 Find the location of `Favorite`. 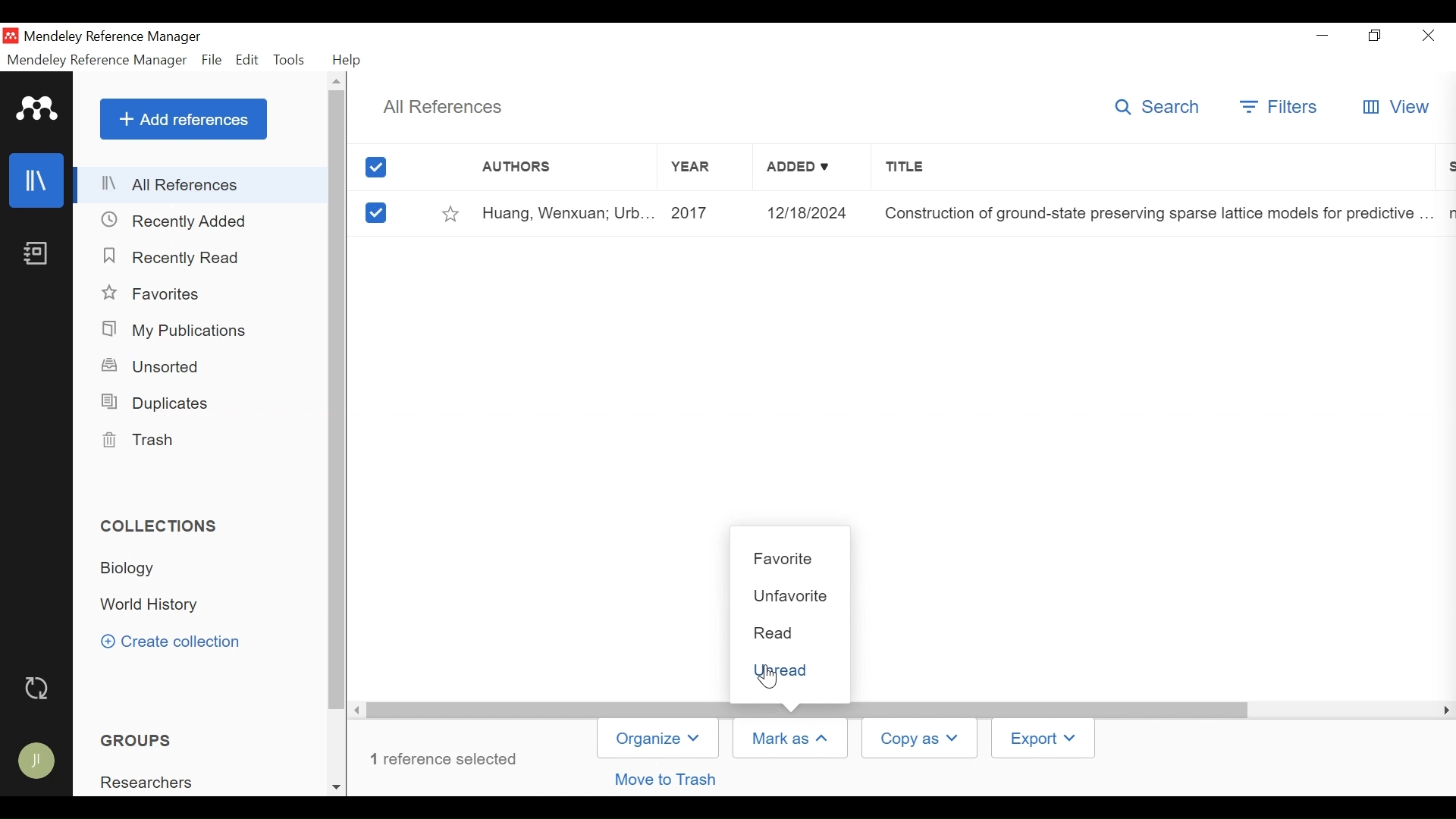

Favorite is located at coordinates (790, 558).